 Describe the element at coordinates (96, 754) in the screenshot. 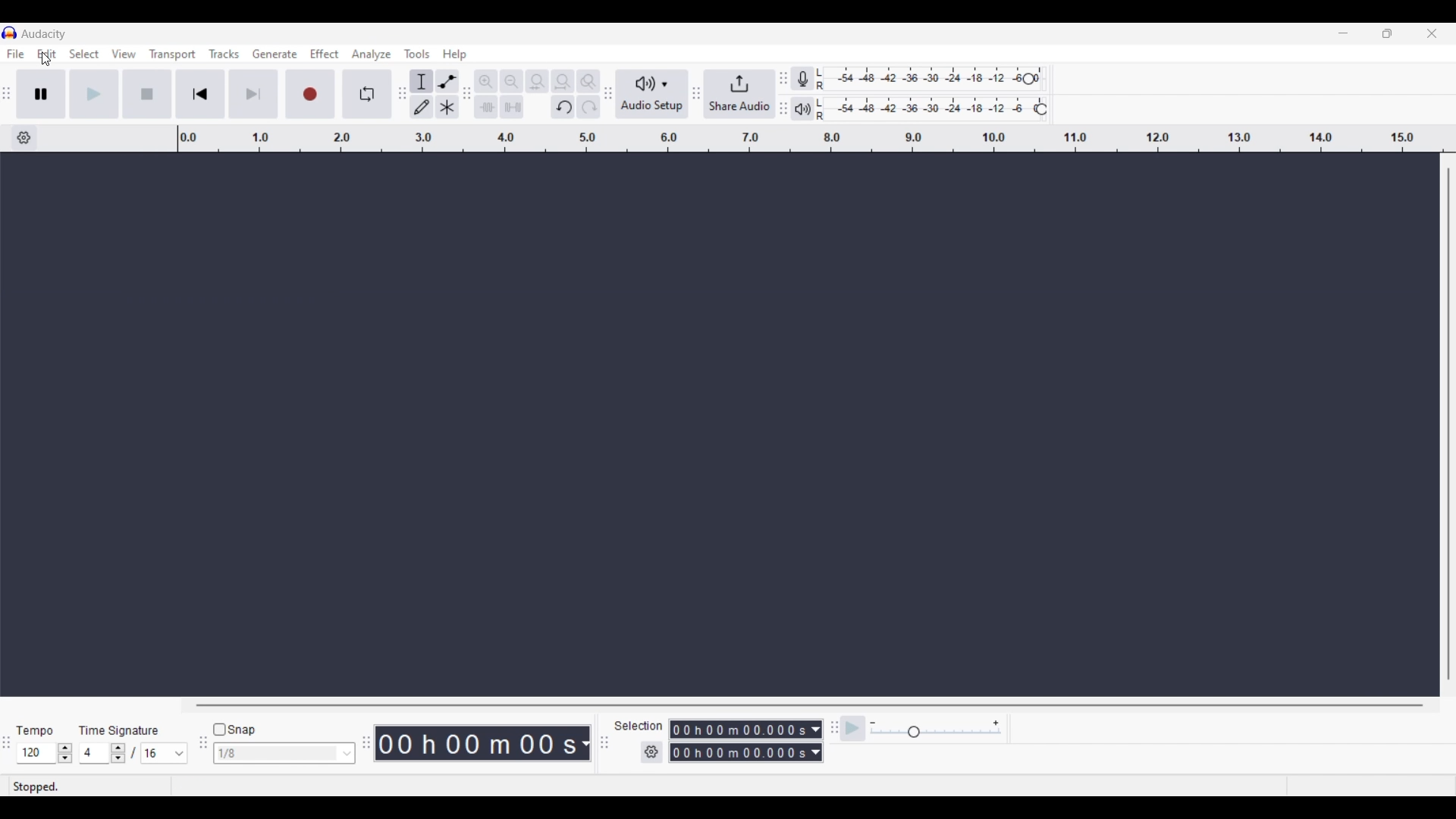

I see `Selected time signature` at that location.